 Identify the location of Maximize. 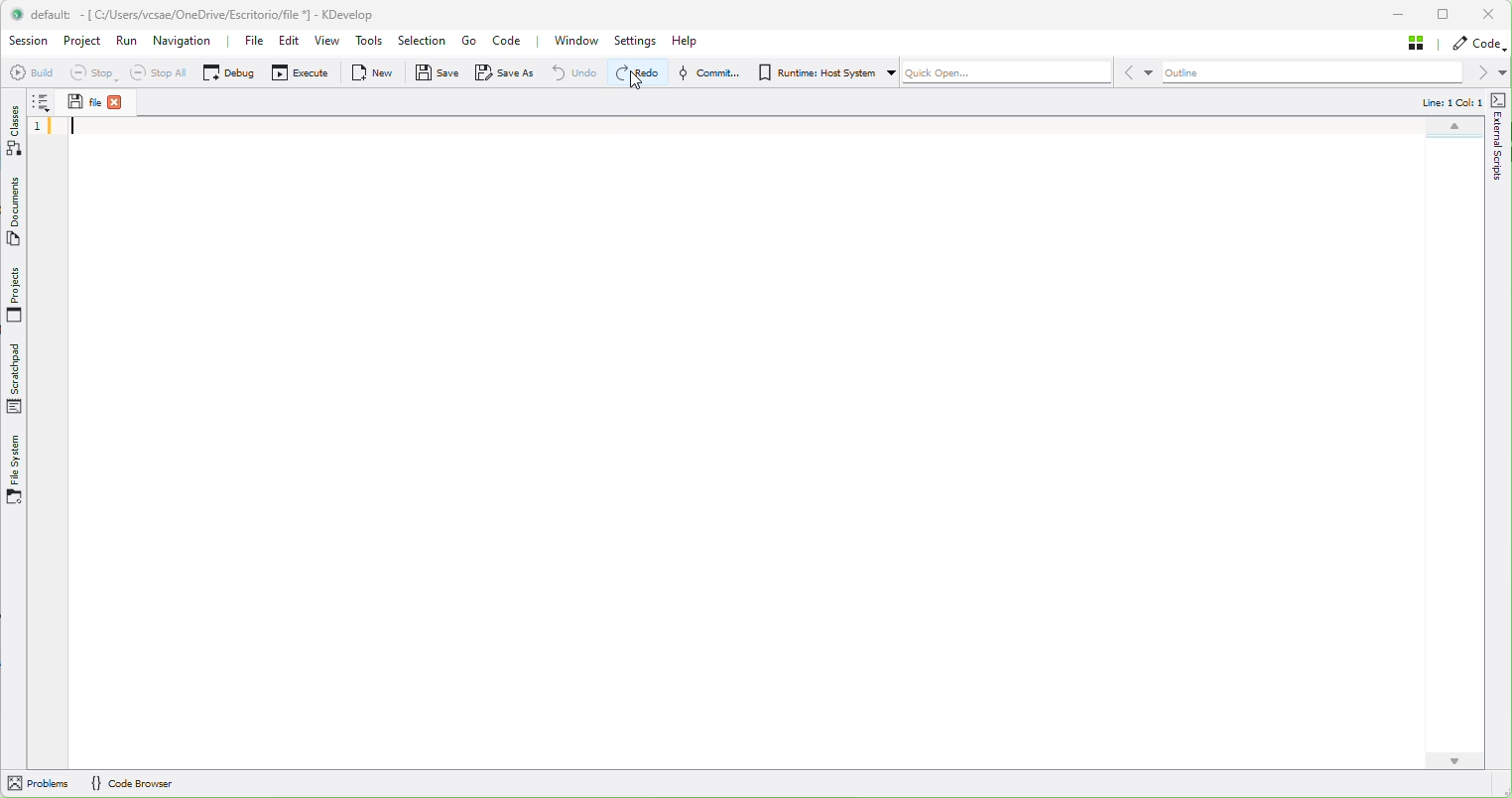
(1444, 15).